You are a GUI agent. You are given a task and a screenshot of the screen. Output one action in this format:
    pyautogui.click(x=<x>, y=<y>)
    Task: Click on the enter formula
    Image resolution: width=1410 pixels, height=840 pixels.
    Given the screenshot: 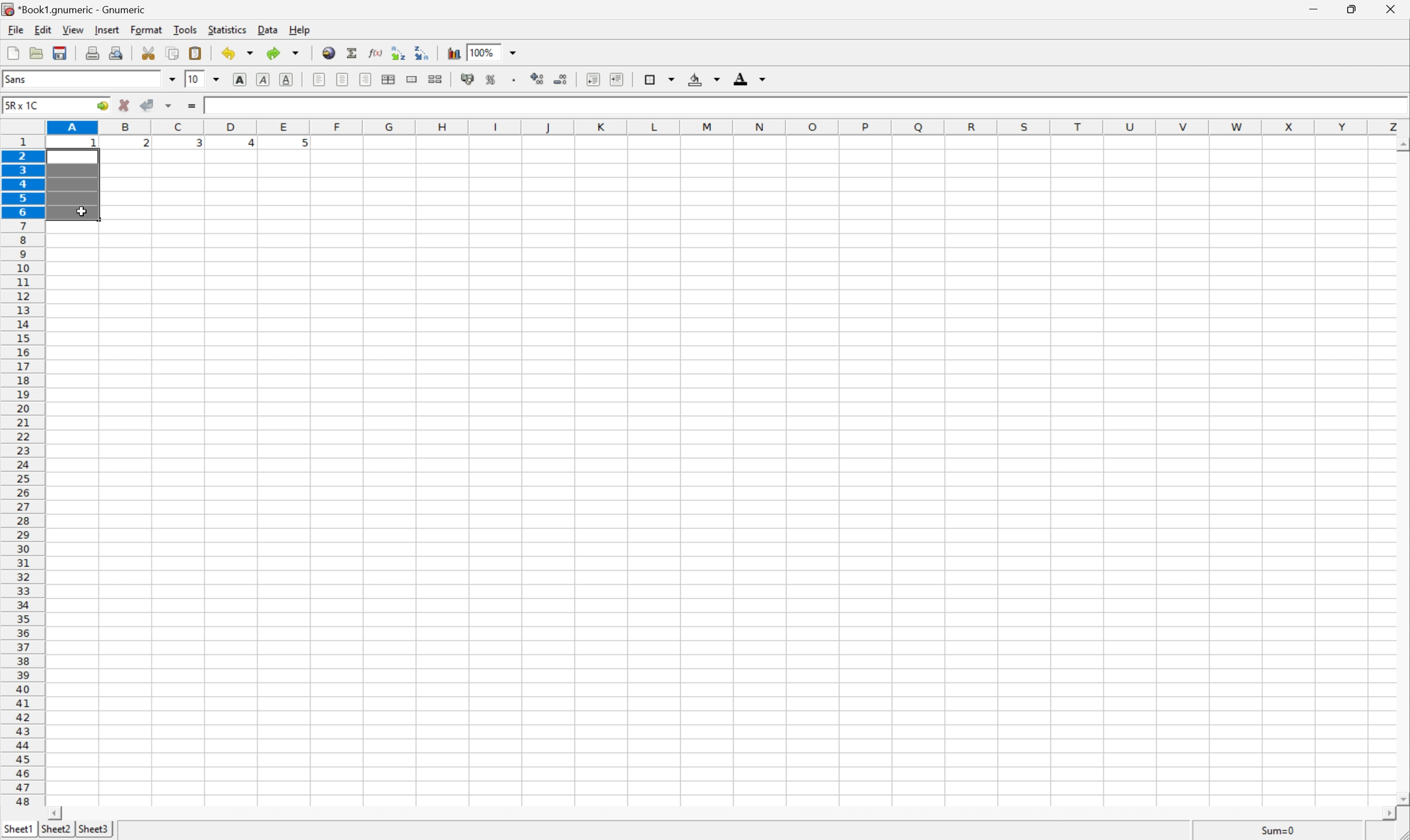 What is the action you would take?
    pyautogui.click(x=191, y=106)
    